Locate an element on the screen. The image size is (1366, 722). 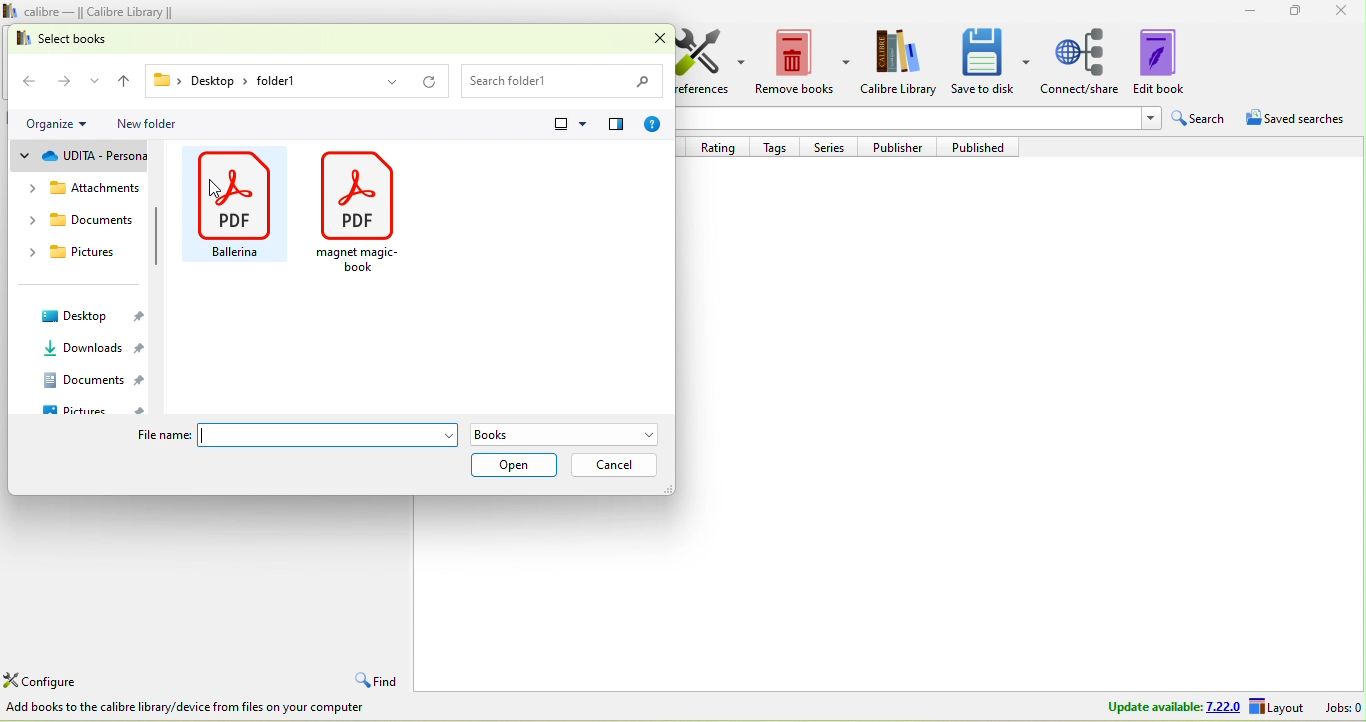
attachments is located at coordinates (85, 186).